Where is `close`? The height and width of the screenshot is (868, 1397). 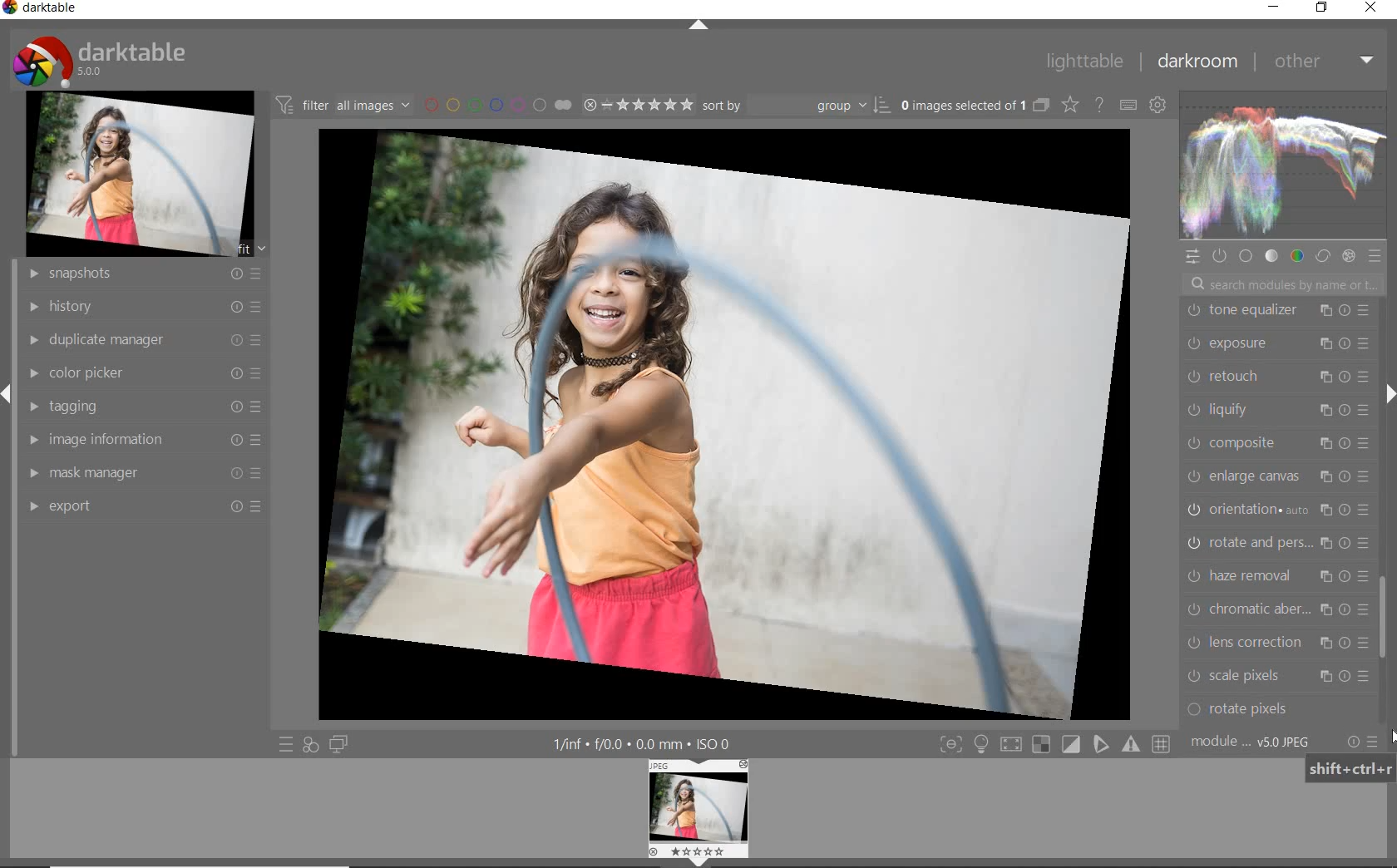 close is located at coordinates (1372, 7).